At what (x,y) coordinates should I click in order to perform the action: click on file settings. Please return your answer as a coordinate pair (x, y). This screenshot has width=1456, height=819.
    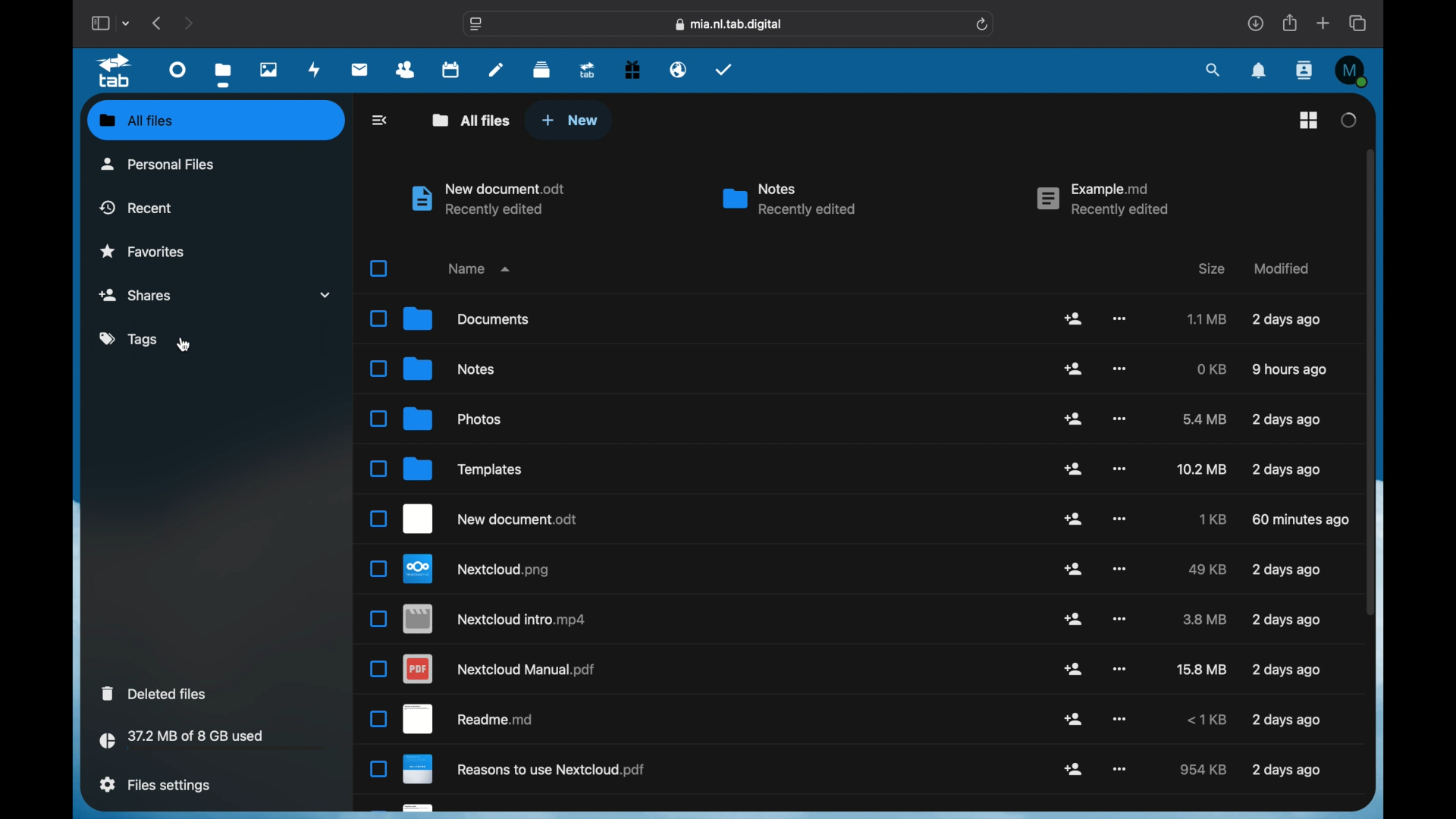
    Looking at the image, I should click on (155, 785).